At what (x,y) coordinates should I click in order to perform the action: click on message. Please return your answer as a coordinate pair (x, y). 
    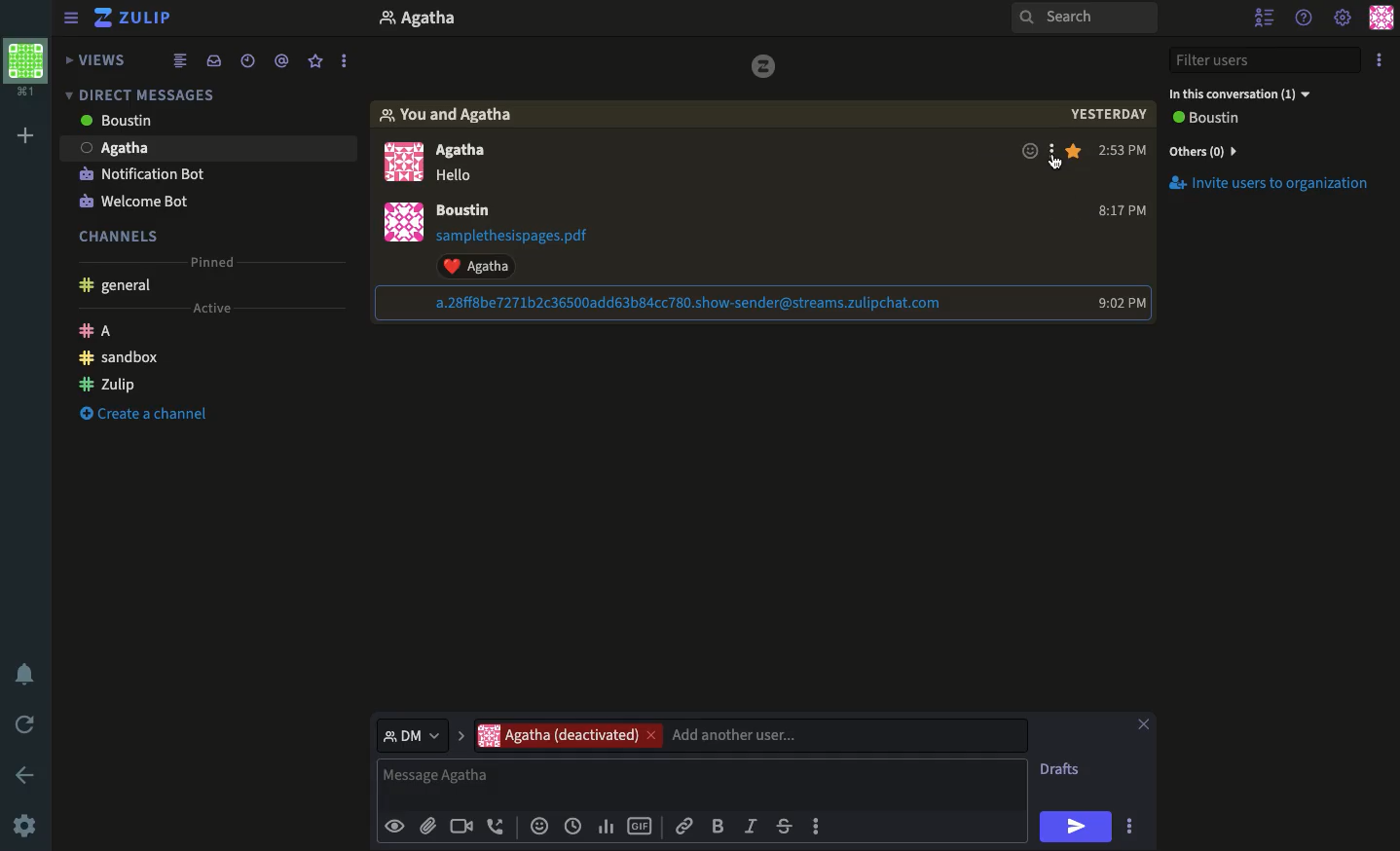
    Looking at the image, I should click on (459, 178).